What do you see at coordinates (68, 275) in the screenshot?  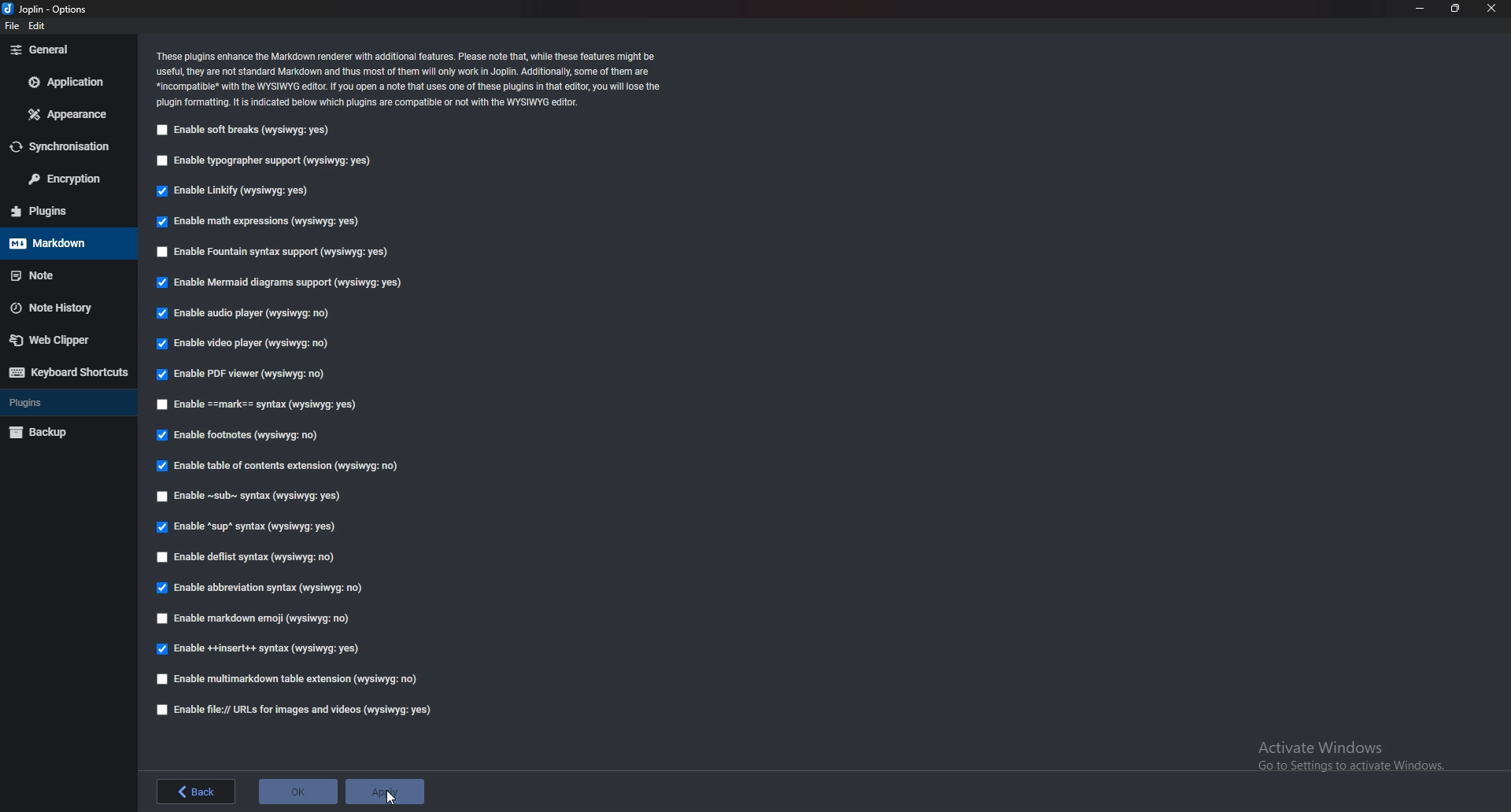 I see `Note` at bounding box center [68, 275].